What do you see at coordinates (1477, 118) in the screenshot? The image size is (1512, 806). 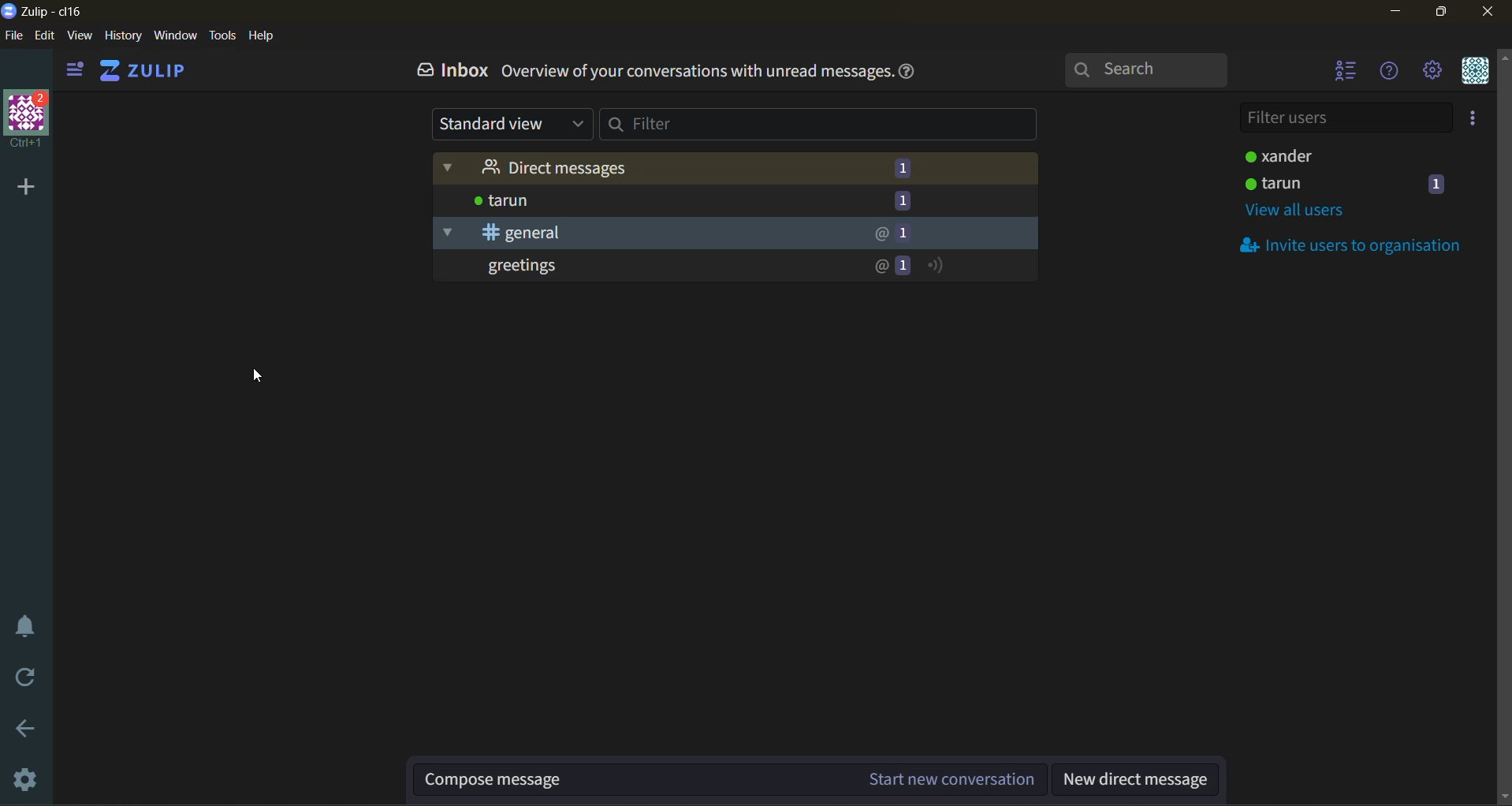 I see `invite users to organisation` at bounding box center [1477, 118].